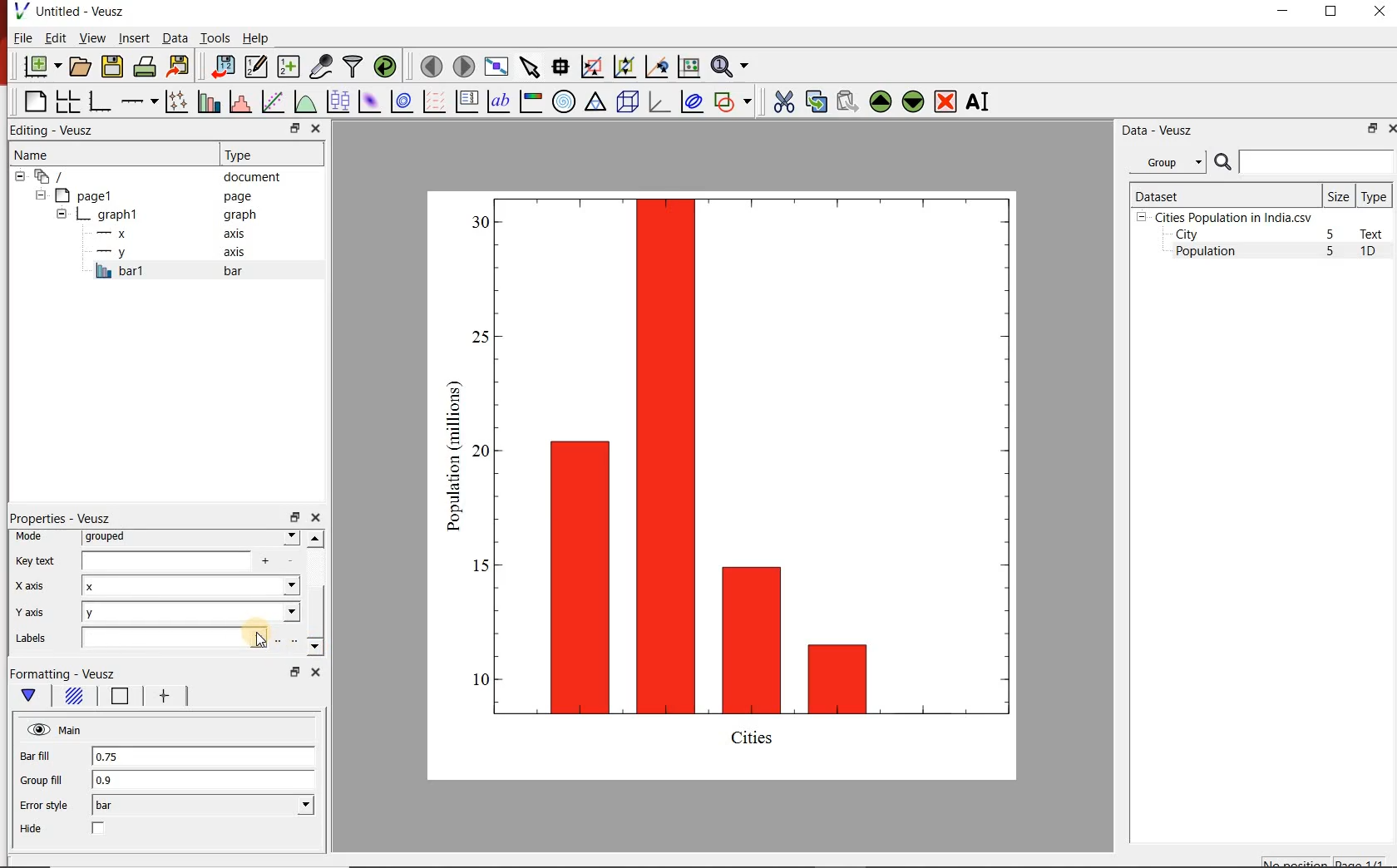 The image size is (1397, 868). What do you see at coordinates (304, 101) in the screenshot?
I see `plot a function` at bounding box center [304, 101].